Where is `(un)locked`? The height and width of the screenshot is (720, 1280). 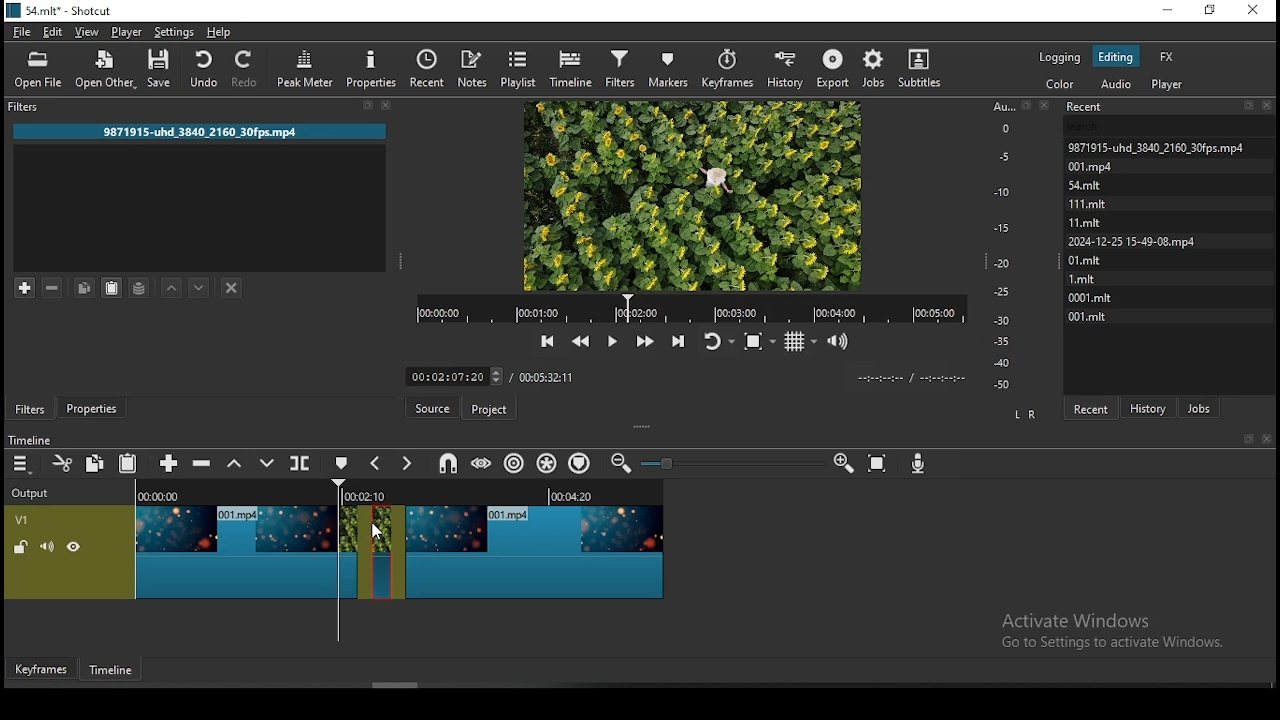
(un)locked is located at coordinates (22, 547).